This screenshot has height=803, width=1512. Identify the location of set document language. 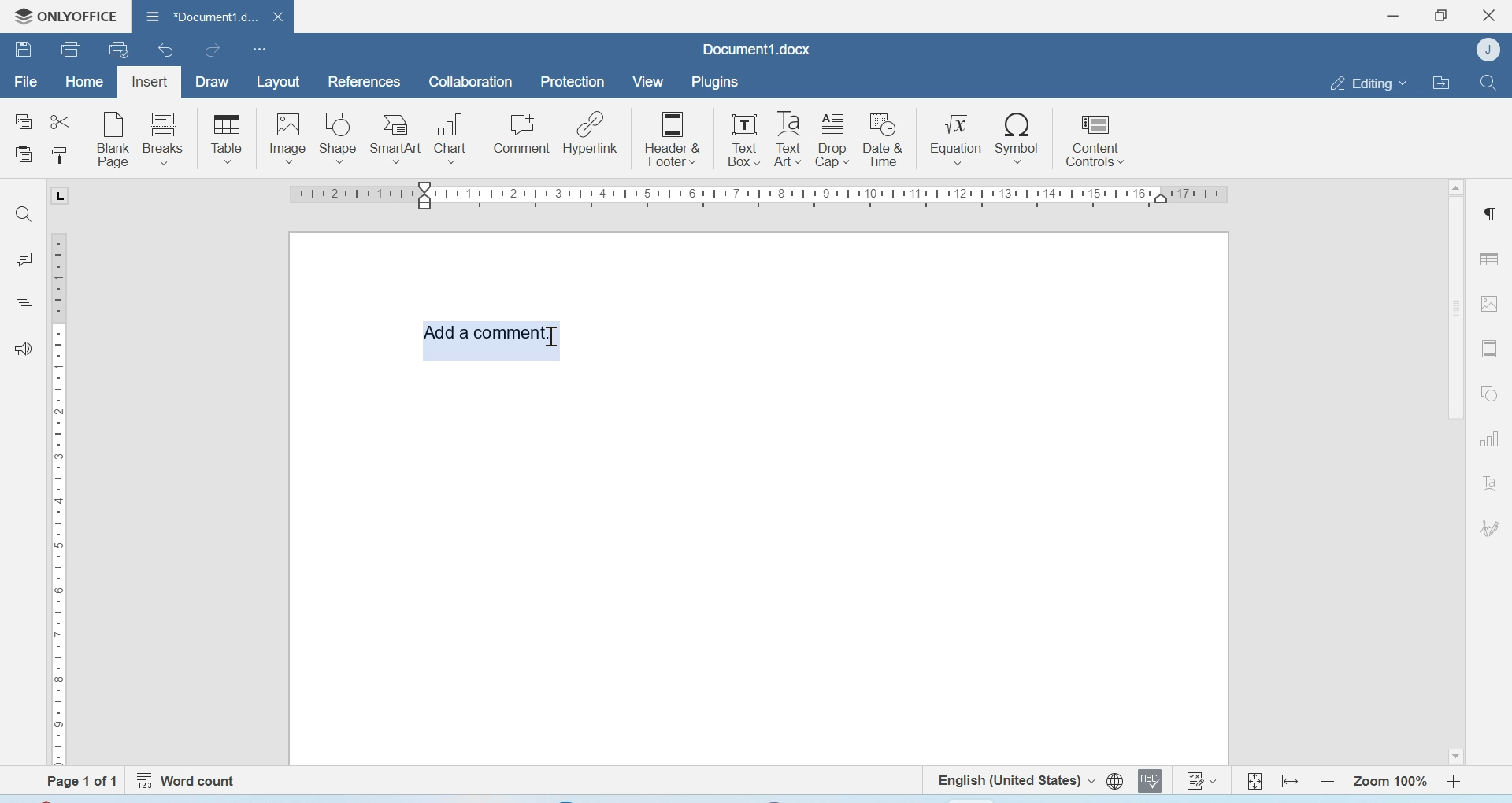
(1115, 781).